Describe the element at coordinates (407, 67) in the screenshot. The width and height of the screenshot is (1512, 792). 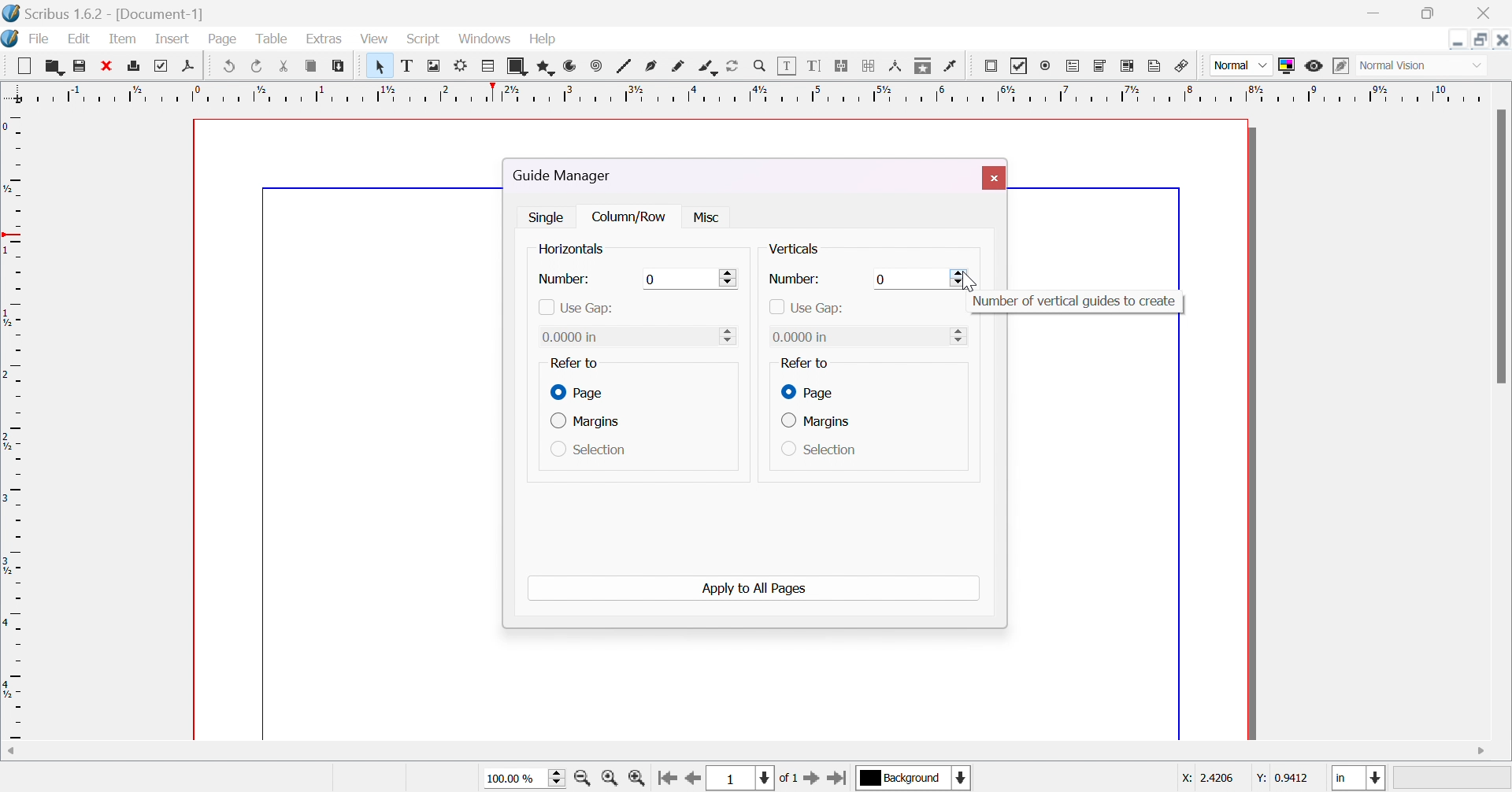
I see `text frame` at that location.